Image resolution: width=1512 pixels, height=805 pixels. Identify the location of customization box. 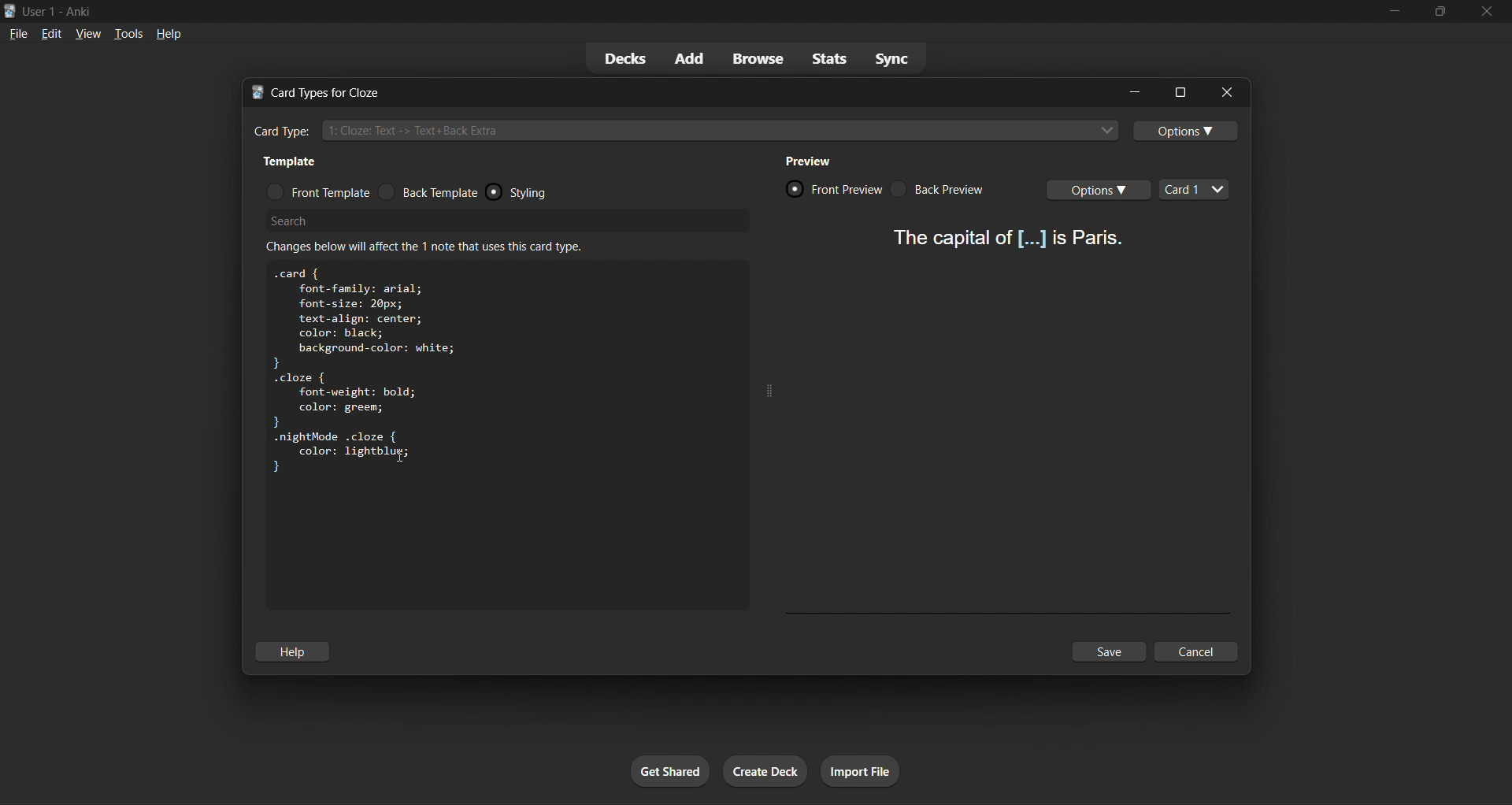
(505, 431).